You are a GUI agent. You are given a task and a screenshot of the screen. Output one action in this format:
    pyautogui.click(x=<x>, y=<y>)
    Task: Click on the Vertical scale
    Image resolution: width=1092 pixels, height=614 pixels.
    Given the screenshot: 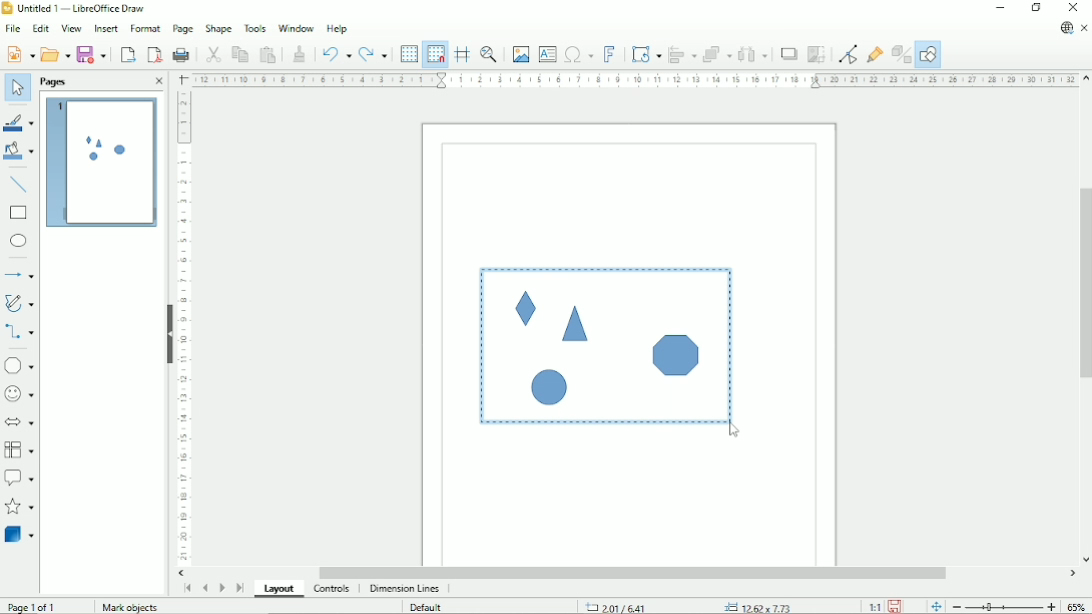 What is the action you would take?
    pyautogui.click(x=182, y=328)
    